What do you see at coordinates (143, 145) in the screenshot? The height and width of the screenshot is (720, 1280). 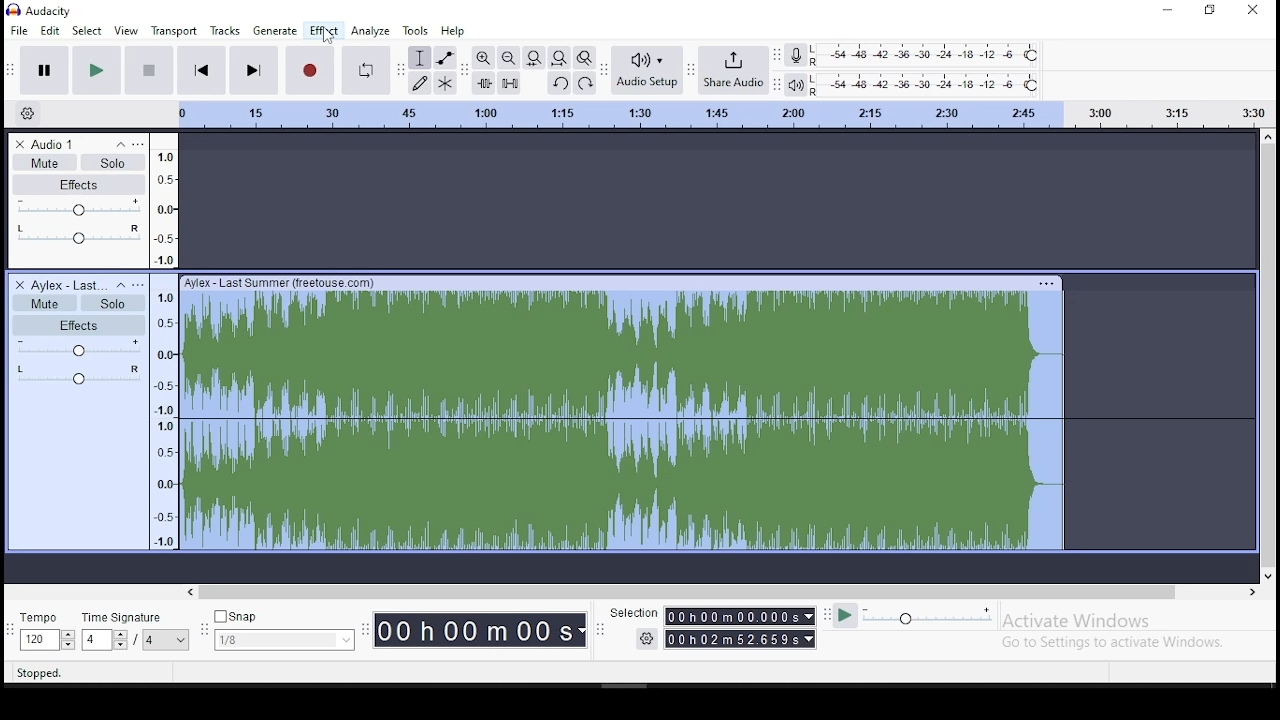 I see `open menu` at bounding box center [143, 145].